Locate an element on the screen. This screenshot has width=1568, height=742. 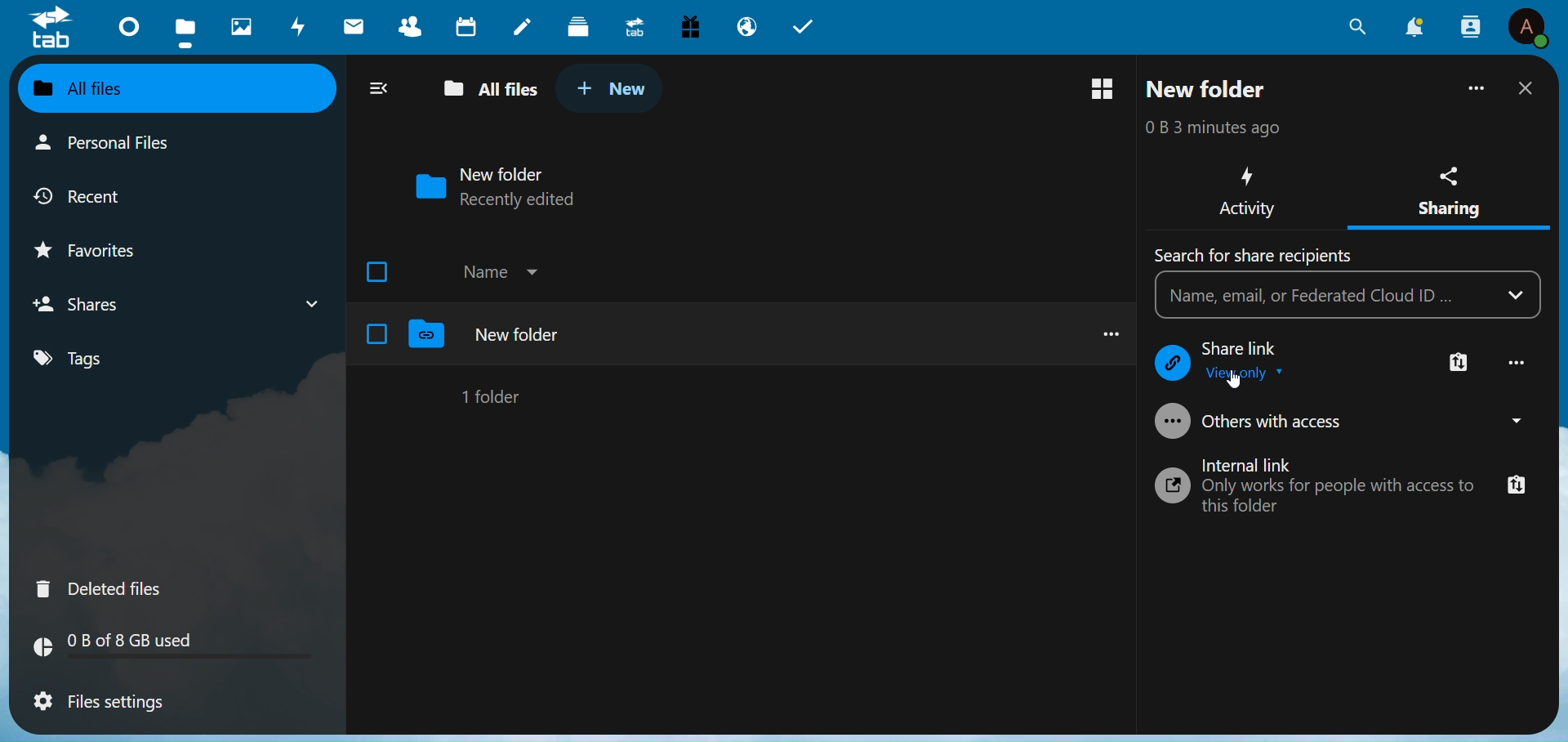
Email Hosting is located at coordinates (746, 27).